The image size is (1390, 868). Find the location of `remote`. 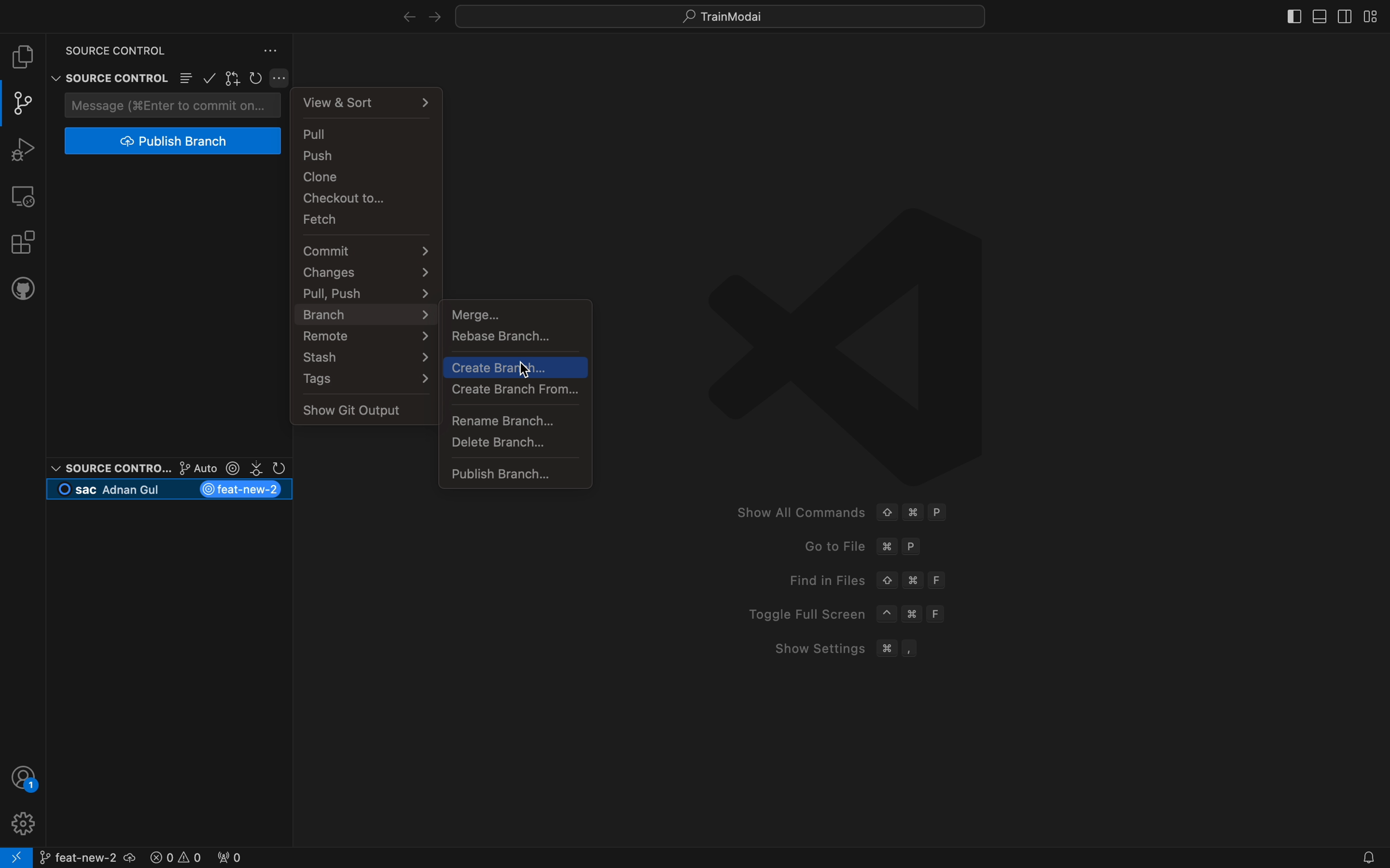

remote is located at coordinates (363, 336).